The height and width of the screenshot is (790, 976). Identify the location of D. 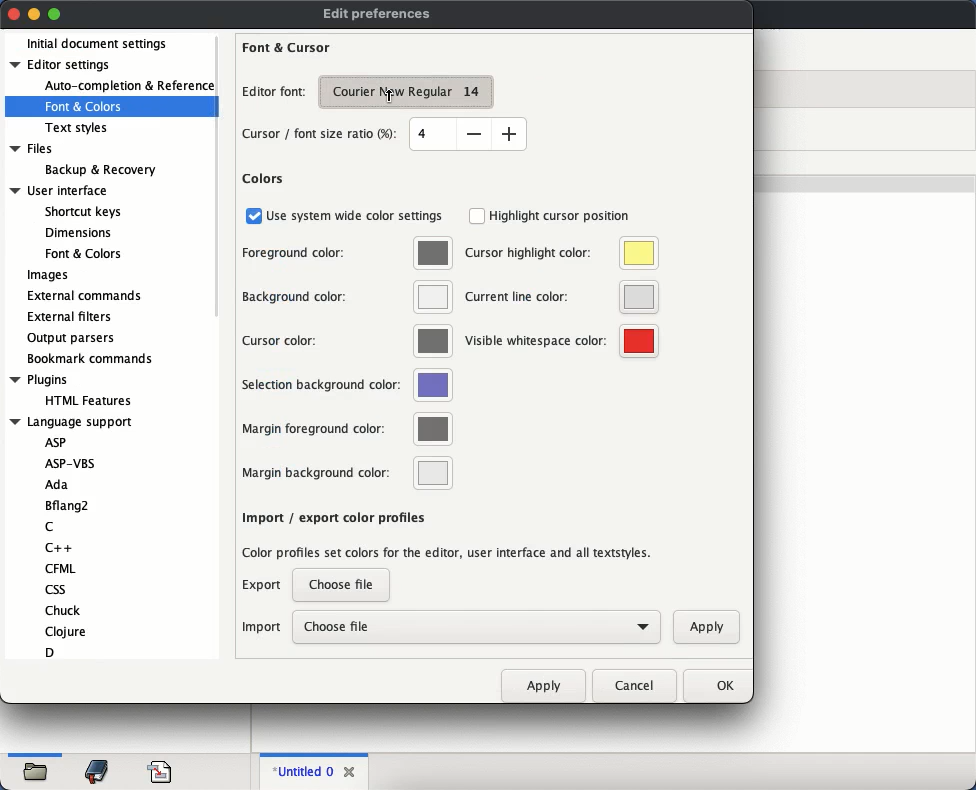
(50, 652).